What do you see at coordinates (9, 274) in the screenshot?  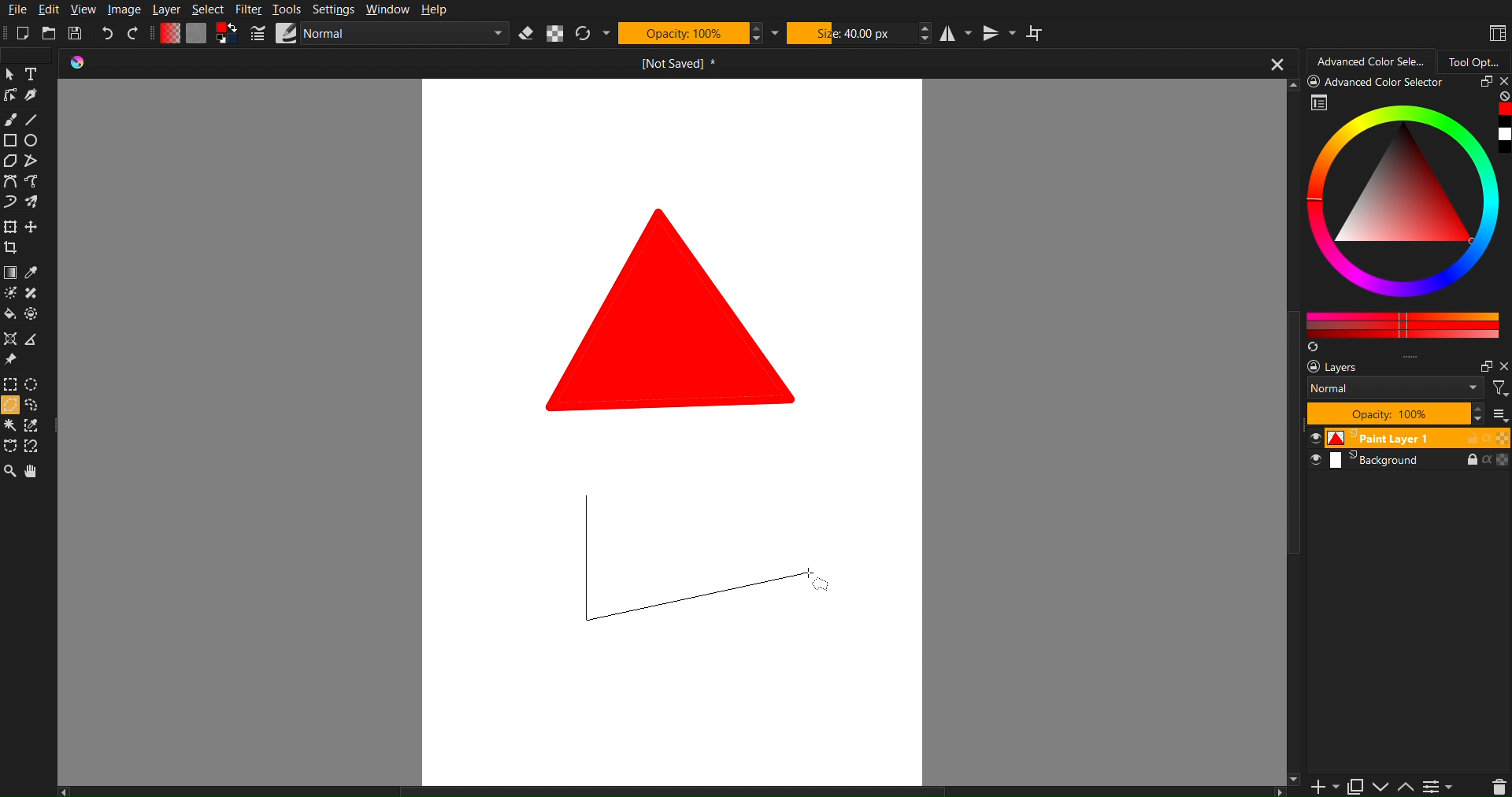 I see `Gradient` at bounding box center [9, 274].